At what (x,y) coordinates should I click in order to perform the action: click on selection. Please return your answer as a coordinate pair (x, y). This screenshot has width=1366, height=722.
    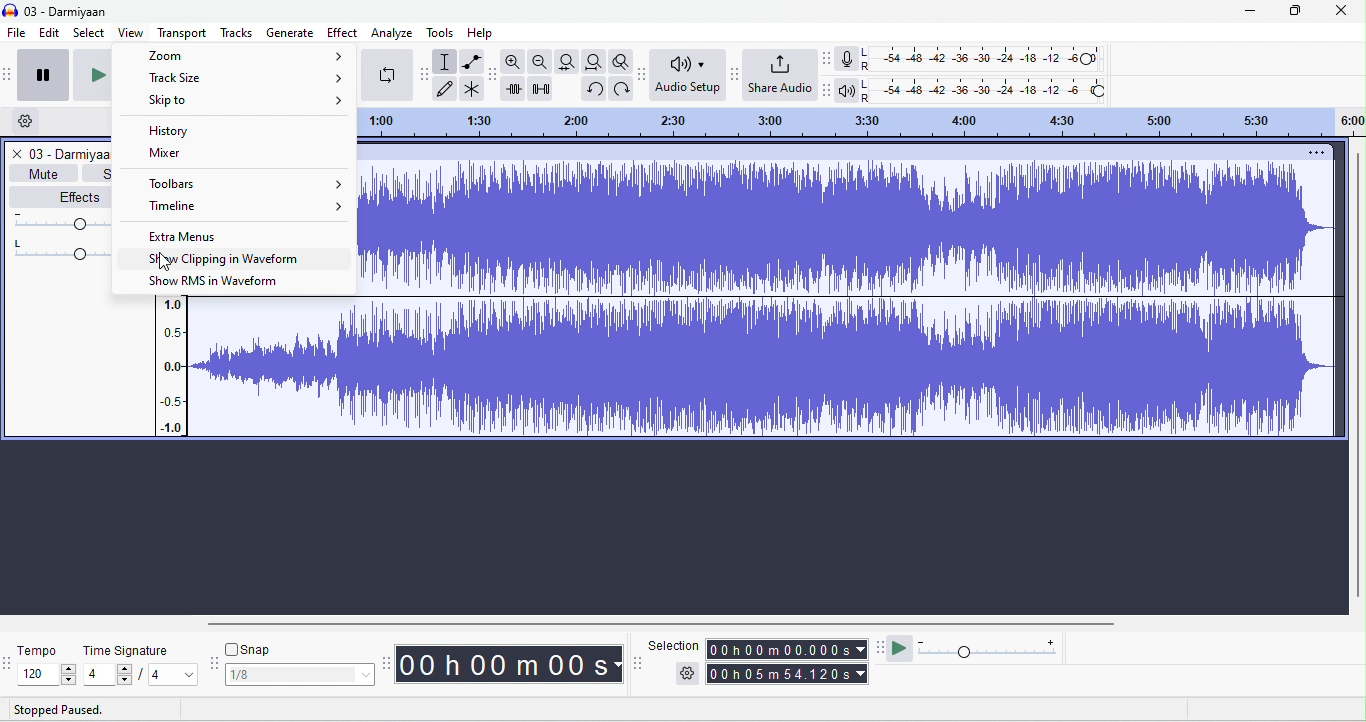
    Looking at the image, I should click on (446, 60).